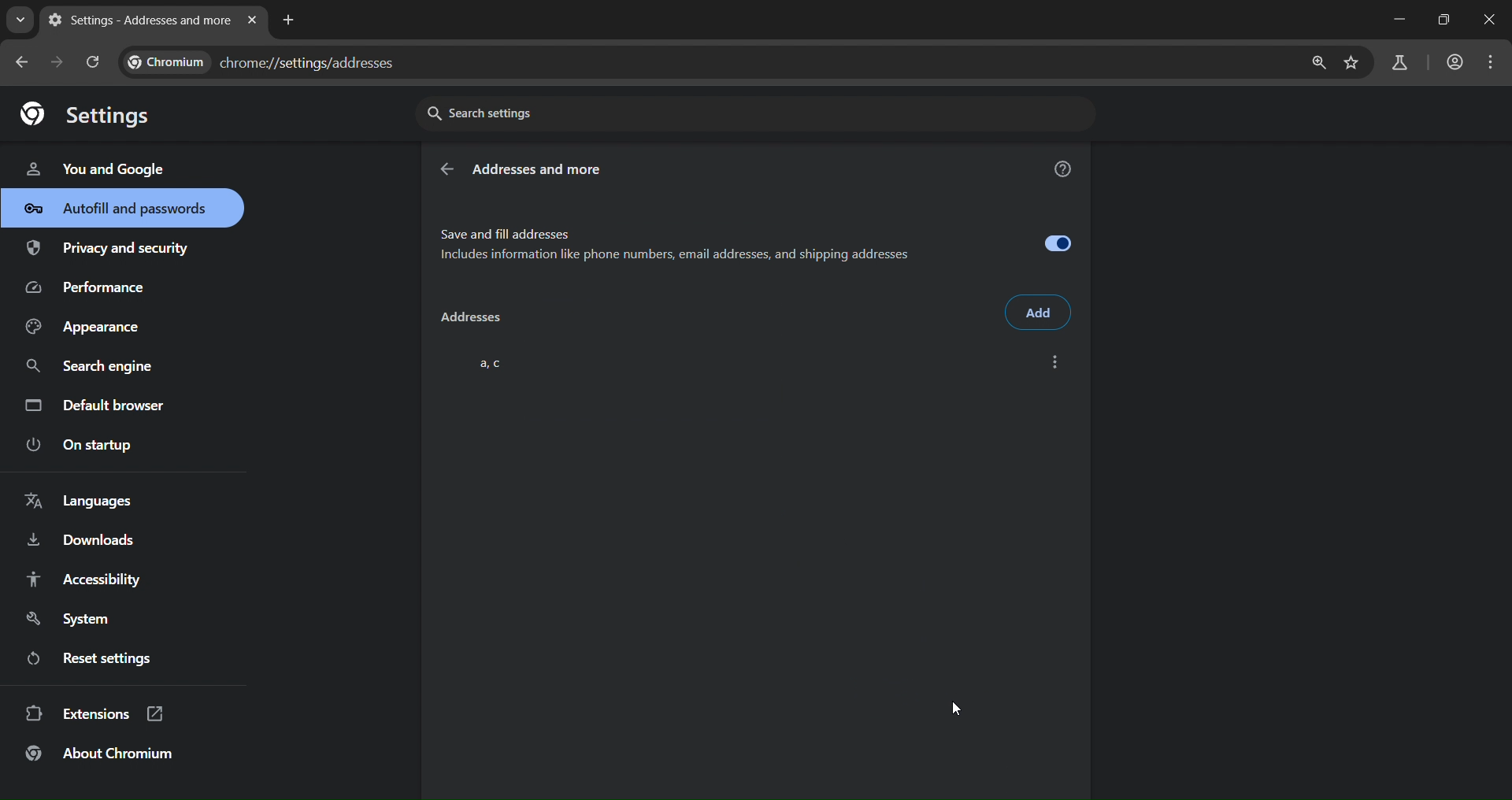  I want to click on go back one page, so click(60, 61).